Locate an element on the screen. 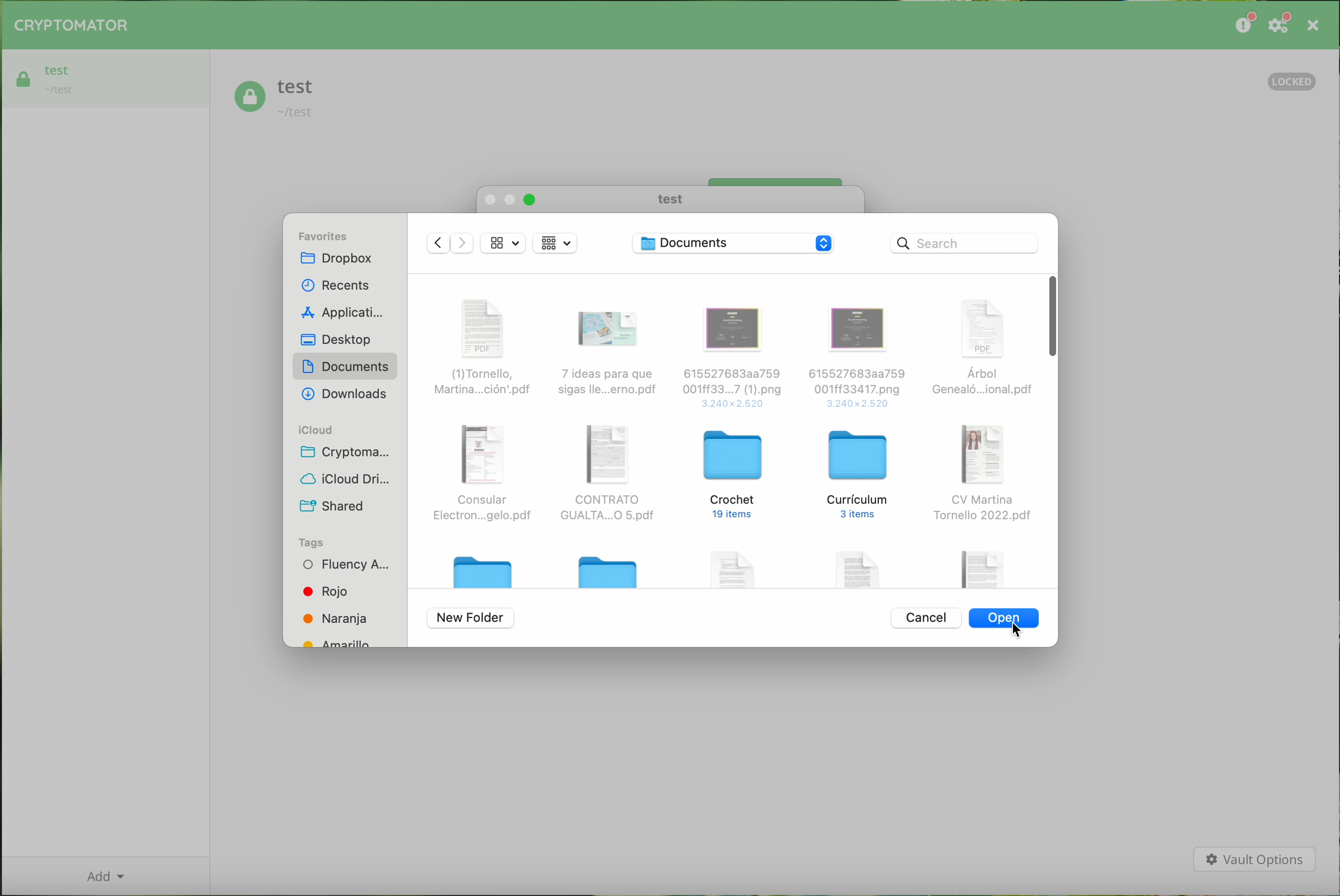 The image size is (1340, 896). downloads is located at coordinates (343, 395).